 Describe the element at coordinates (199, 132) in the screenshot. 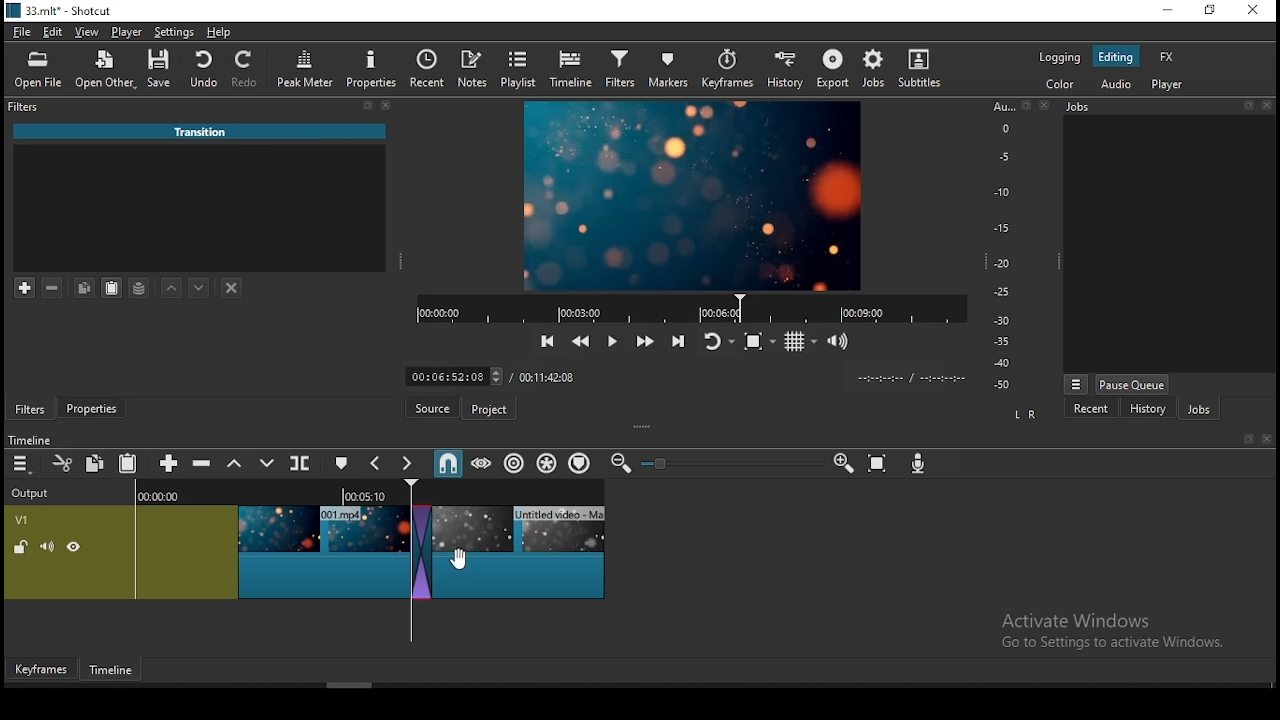

I see `‘Untitled video - Made with Clipchamp (4).mp4` at that location.